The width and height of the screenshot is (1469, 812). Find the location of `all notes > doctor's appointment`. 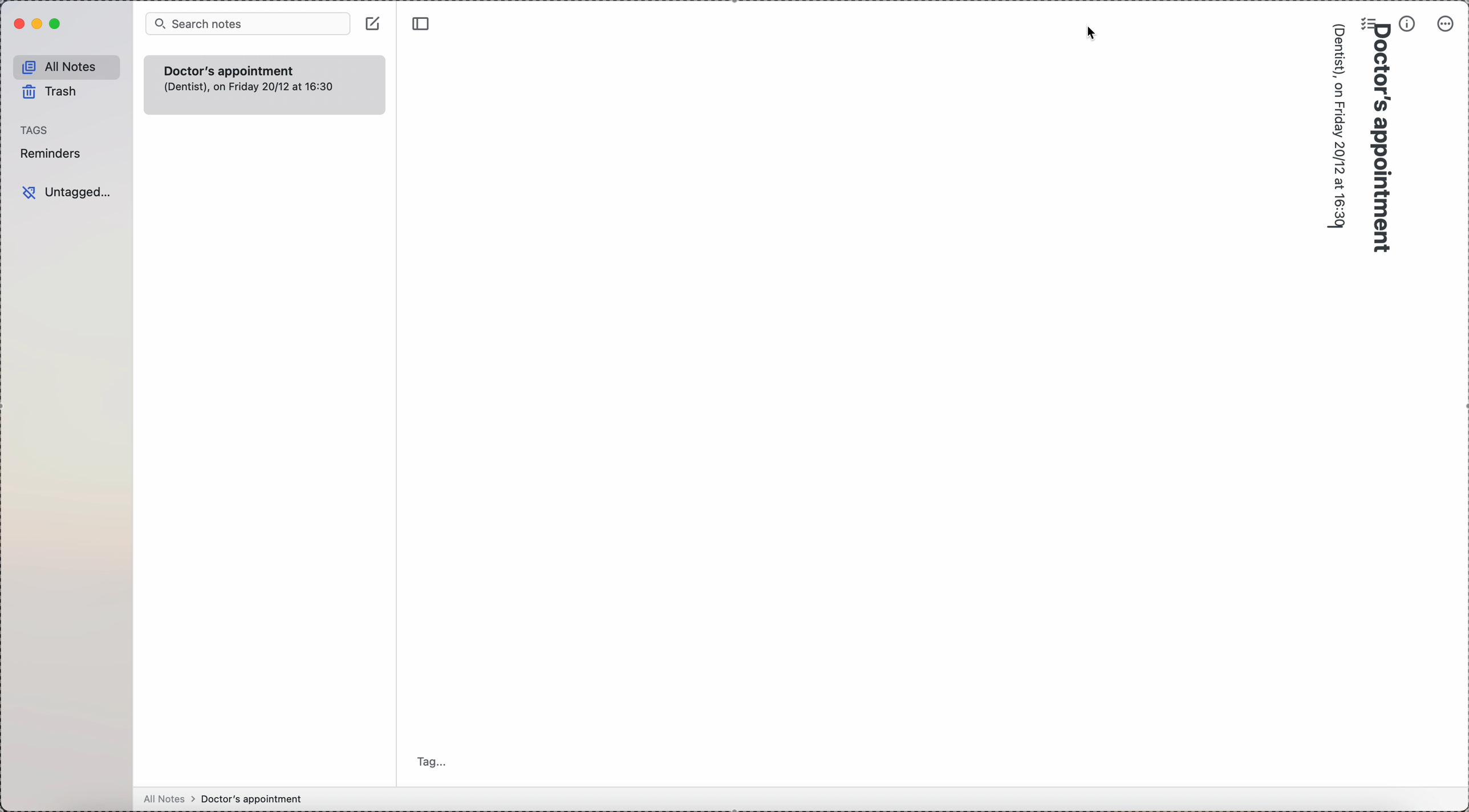

all notes > doctor's appointment is located at coordinates (223, 798).